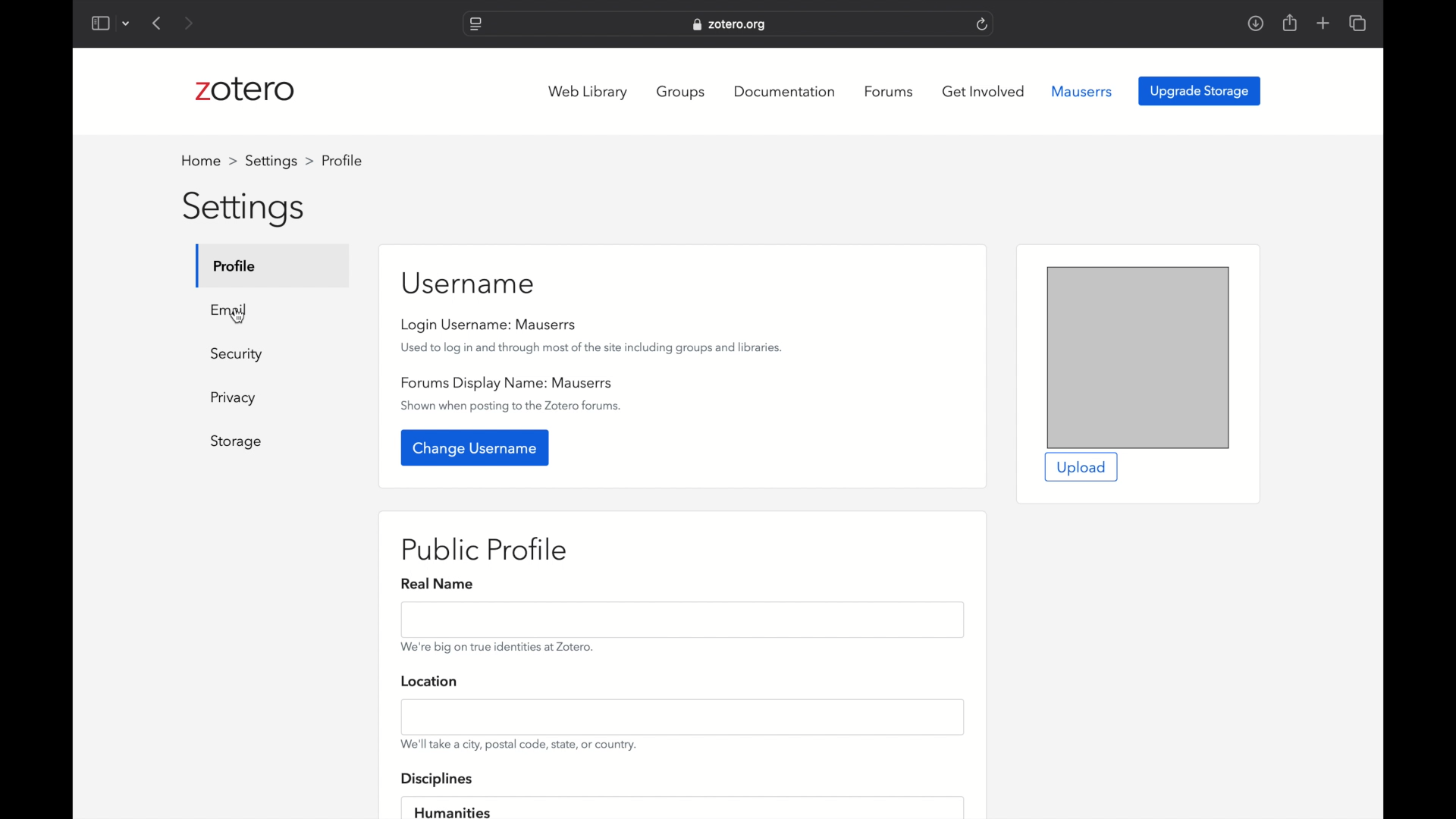 The width and height of the screenshot is (1456, 819). What do you see at coordinates (507, 382) in the screenshot?
I see `forums display name: mauserrs` at bounding box center [507, 382].